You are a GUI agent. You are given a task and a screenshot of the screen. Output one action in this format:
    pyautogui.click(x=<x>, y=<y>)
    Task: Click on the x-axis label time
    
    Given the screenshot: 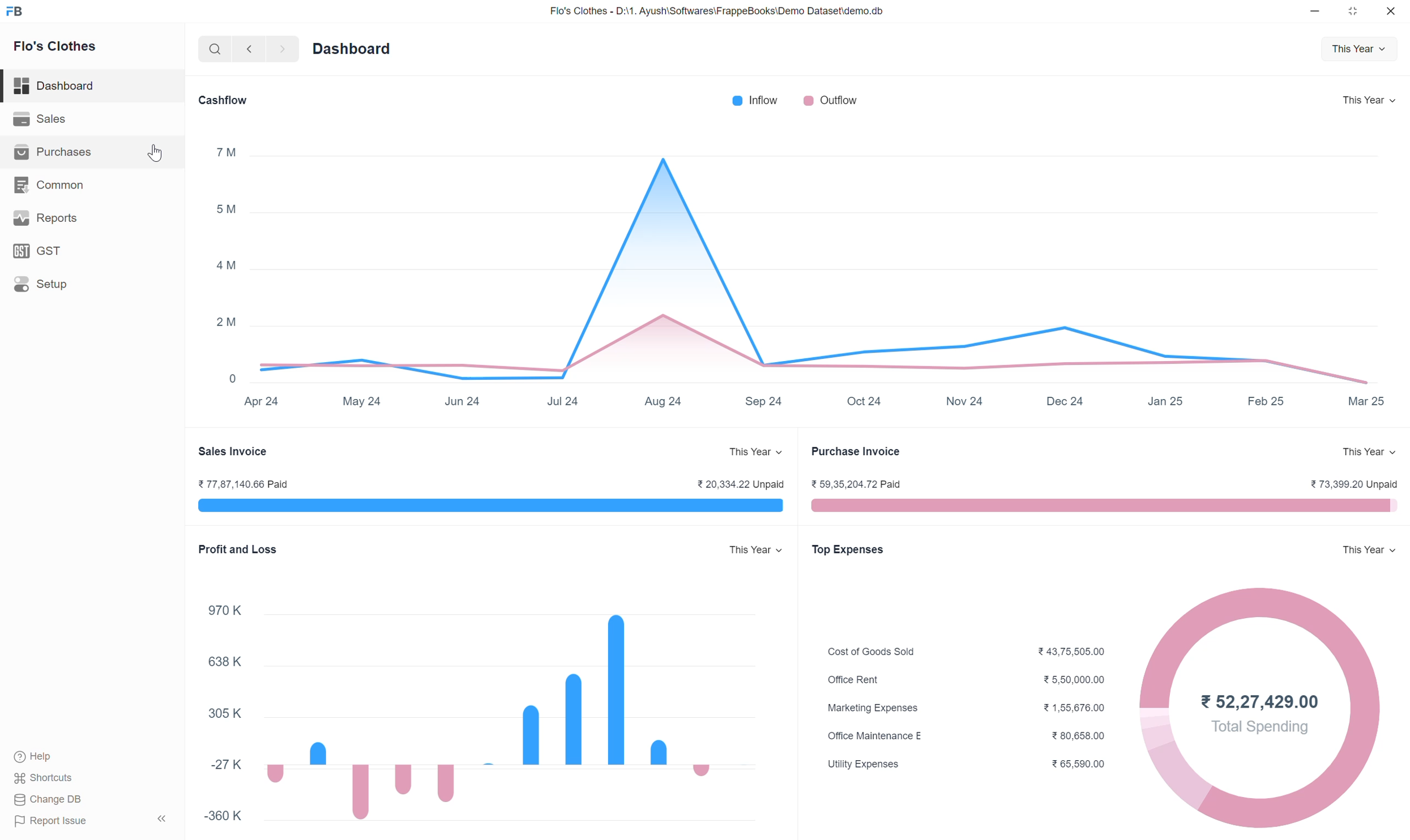 What is the action you would take?
    pyautogui.click(x=807, y=400)
    